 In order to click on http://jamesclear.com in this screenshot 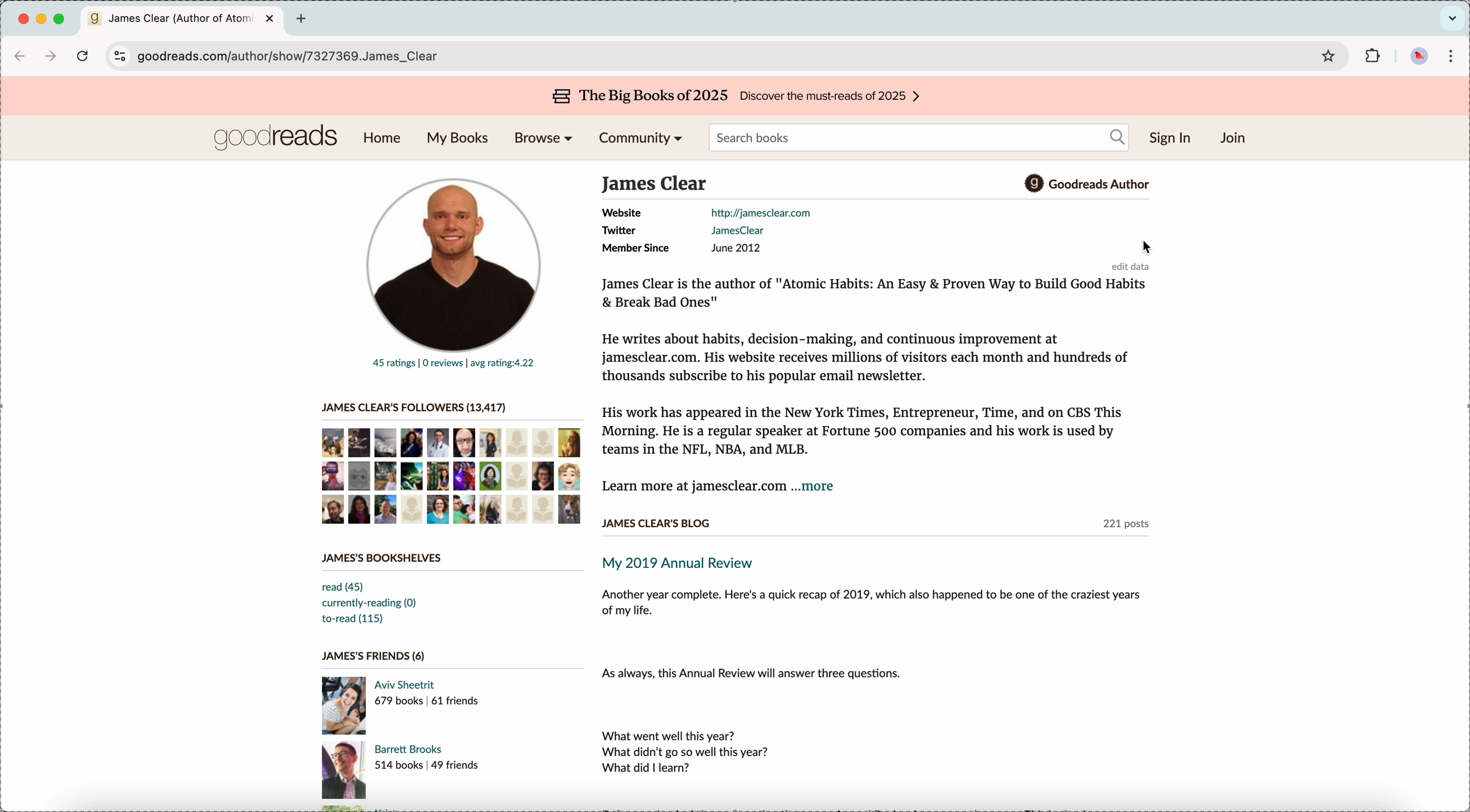, I will do `click(760, 212)`.